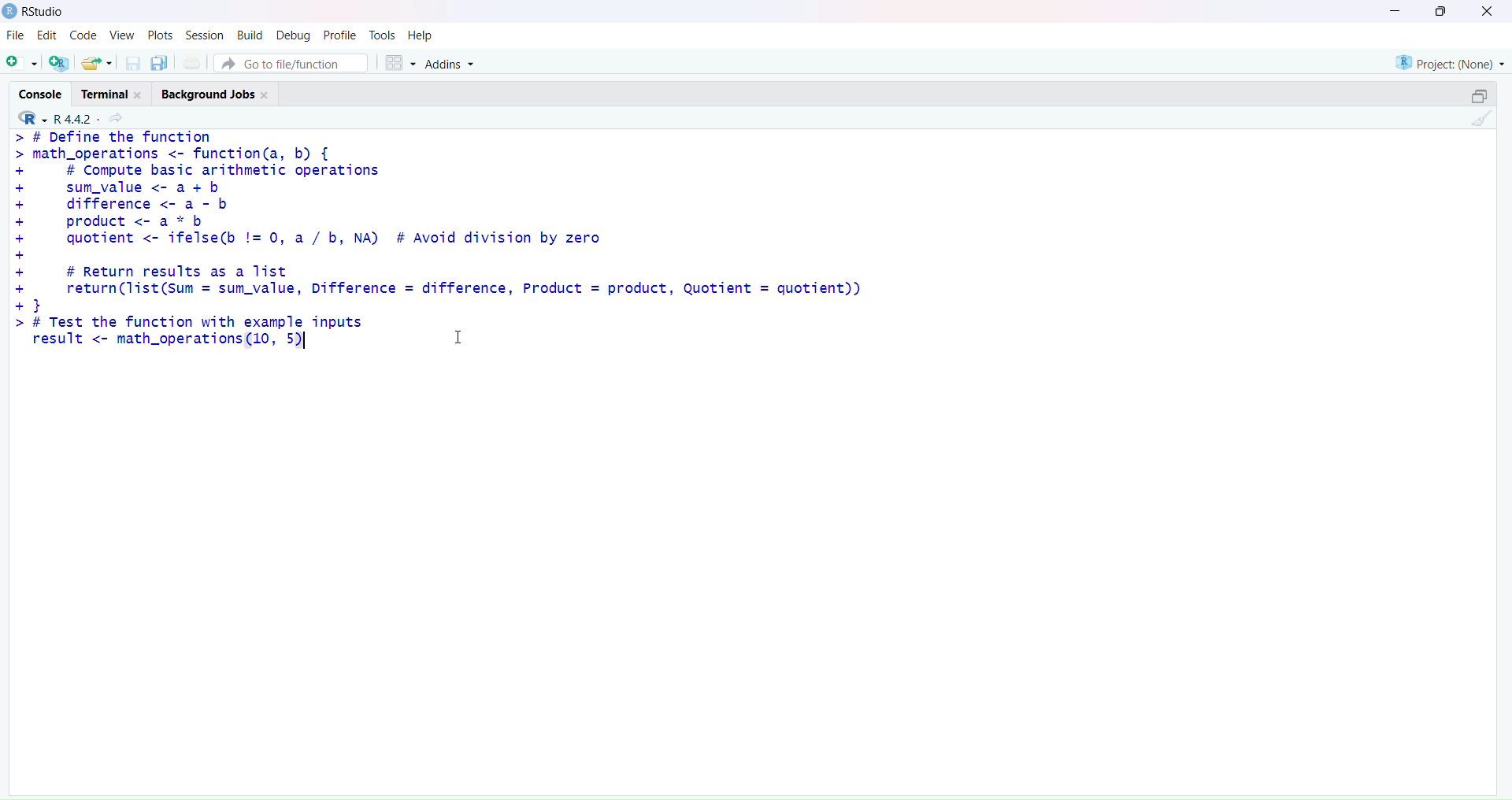 The width and height of the screenshot is (1512, 800). Describe the element at coordinates (246, 35) in the screenshot. I see `Build` at that location.